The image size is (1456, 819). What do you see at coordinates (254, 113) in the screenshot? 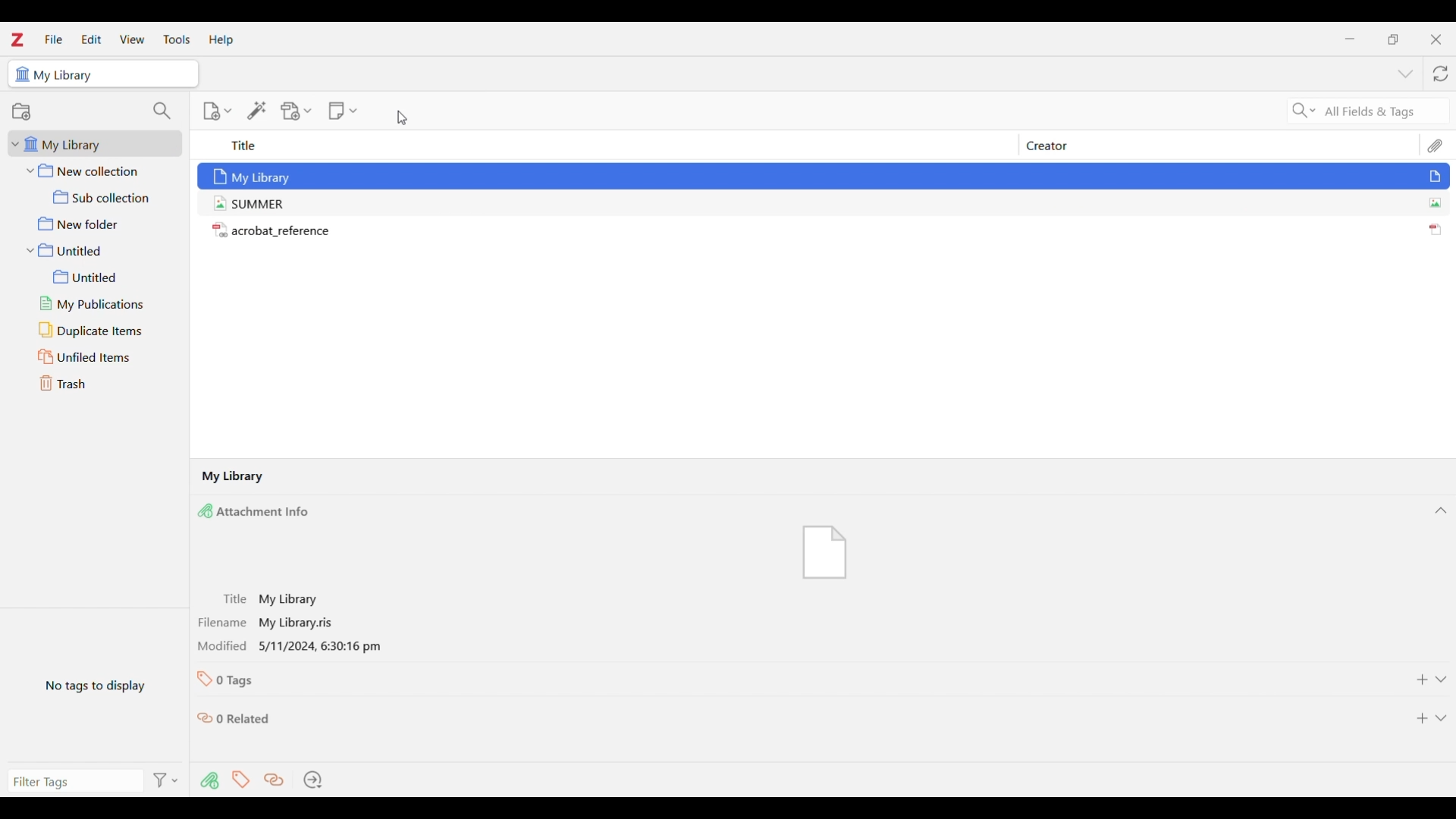
I see `Add item by identifer` at bounding box center [254, 113].